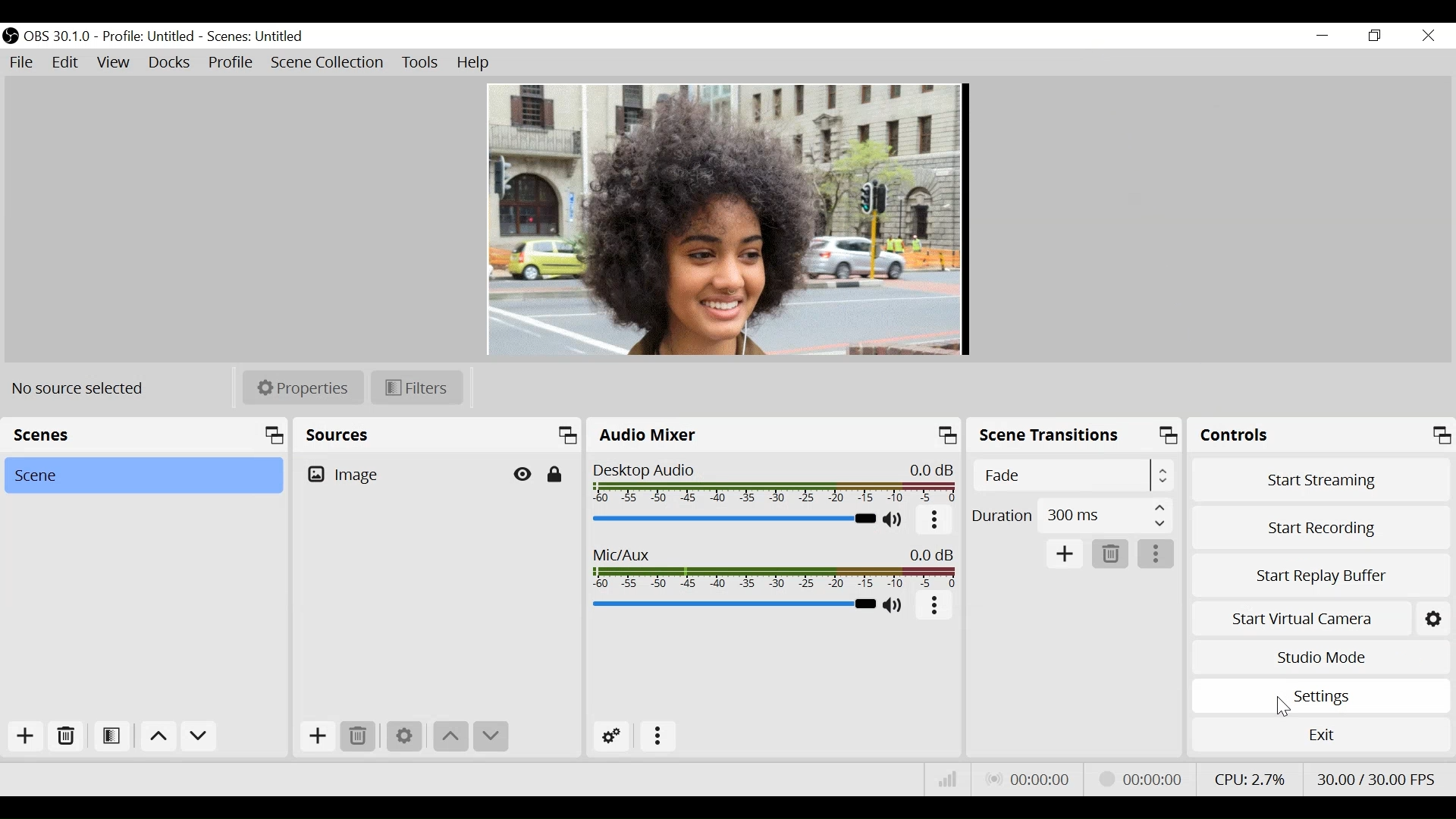  I want to click on Move down, so click(493, 736).